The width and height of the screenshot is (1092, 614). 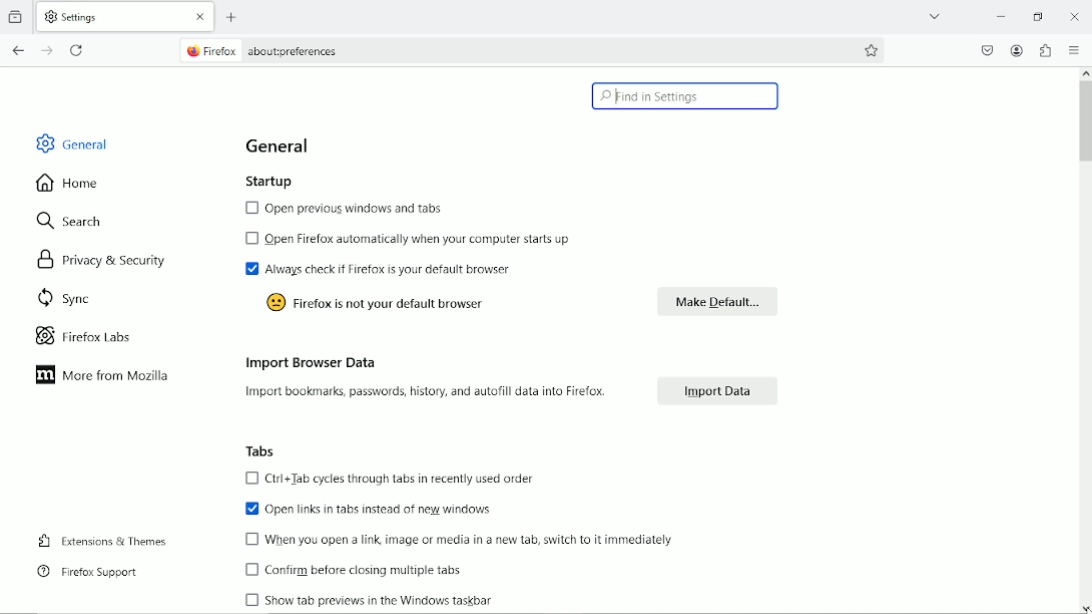 What do you see at coordinates (1045, 50) in the screenshot?
I see `extensions` at bounding box center [1045, 50].